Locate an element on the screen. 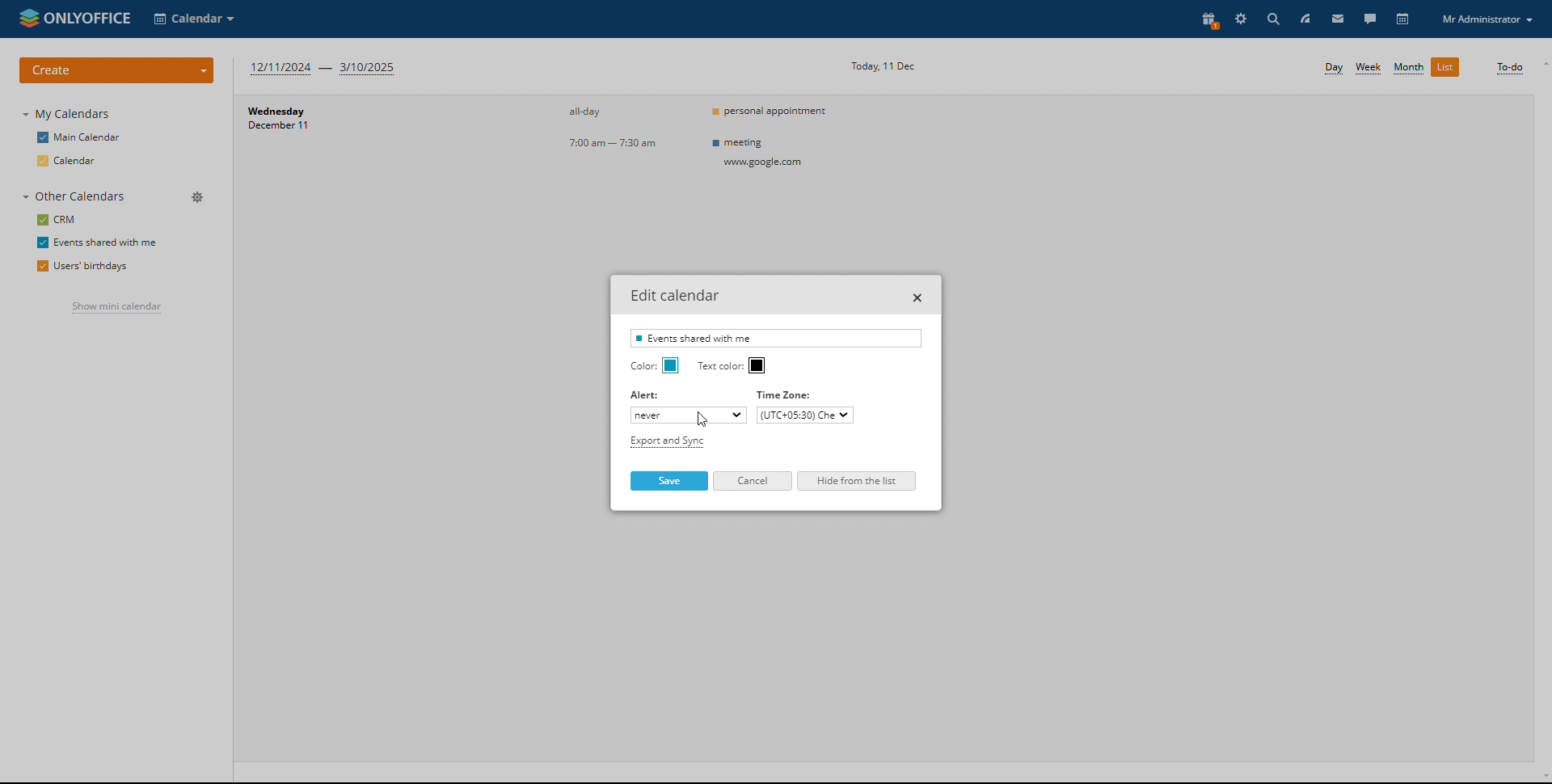 The height and width of the screenshot is (784, 1552). calednar name is located at coordinates (776, 338).